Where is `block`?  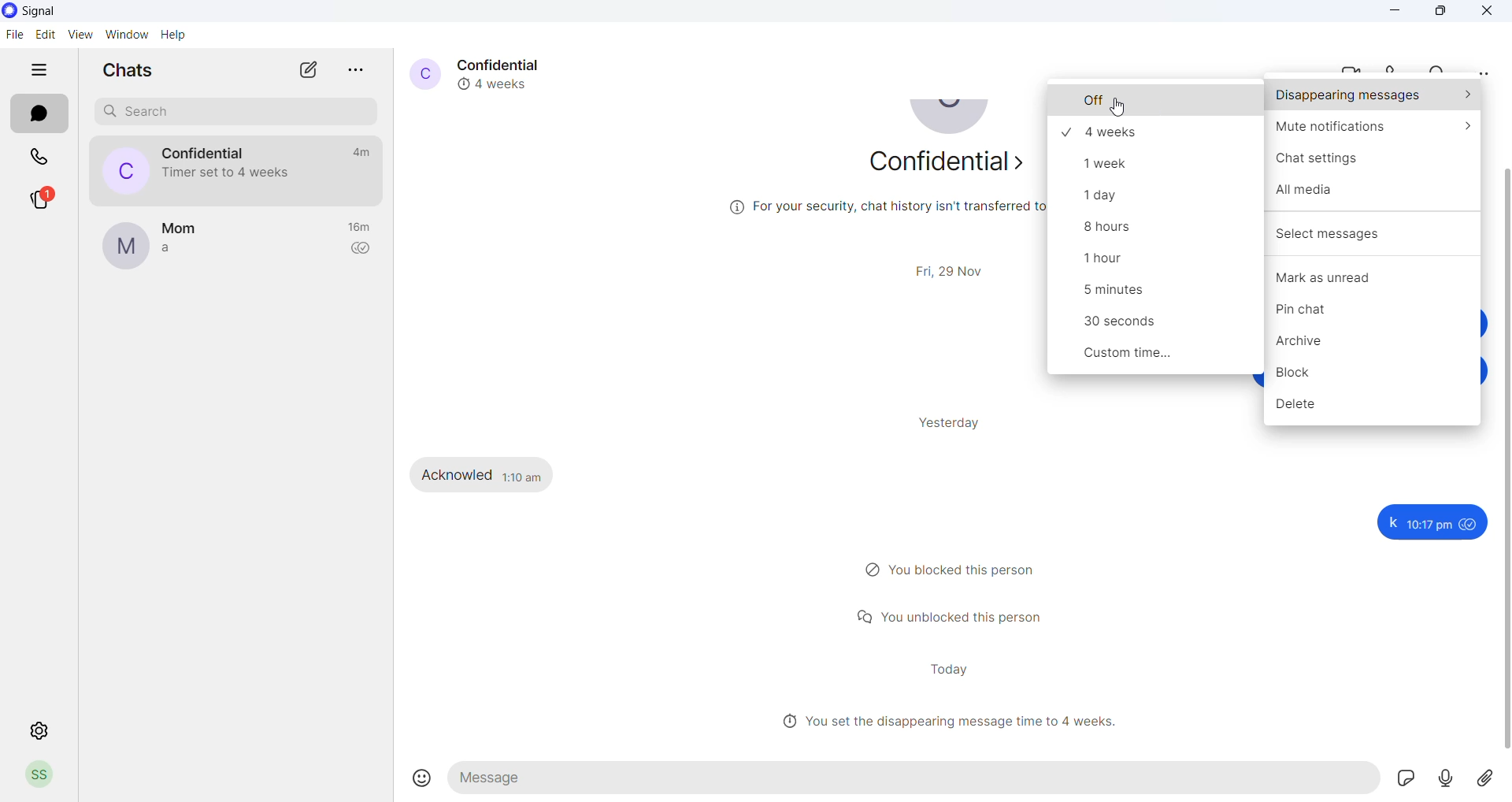
block is located at coordinates (1377, 377).